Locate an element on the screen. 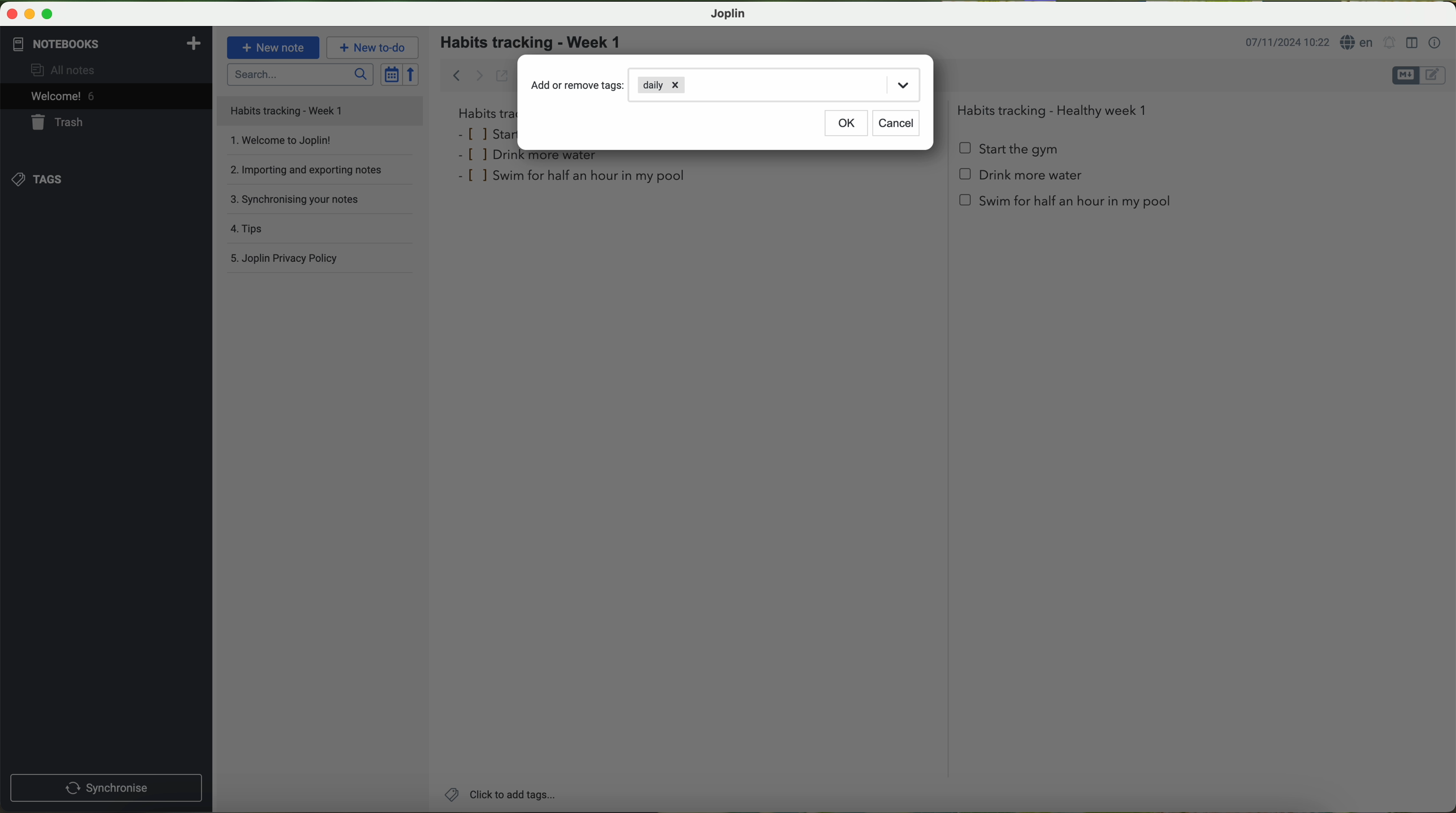 The height and width of the screenshot is (813, 1456). Habits tracking - Healthy week 1 is located at coordinates (1057, 108).